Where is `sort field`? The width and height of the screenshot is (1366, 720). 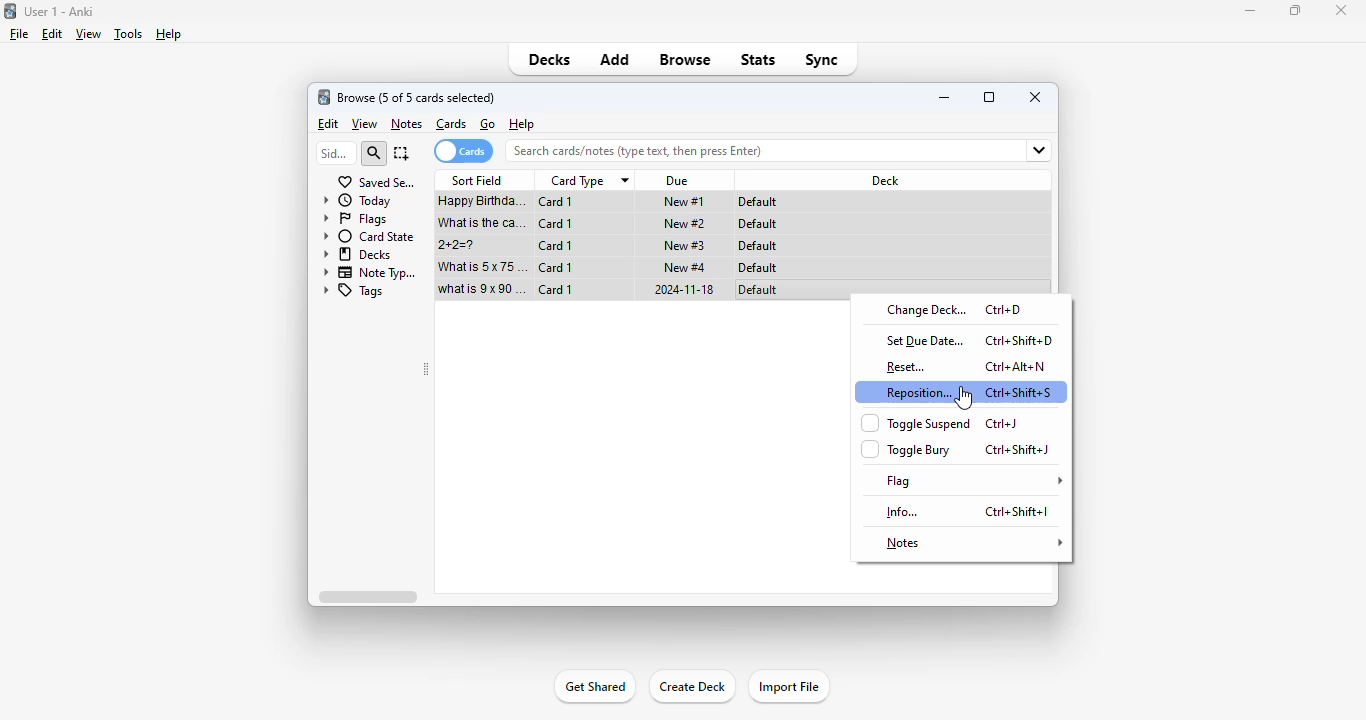 sort field is located at coordinates (477, 180).